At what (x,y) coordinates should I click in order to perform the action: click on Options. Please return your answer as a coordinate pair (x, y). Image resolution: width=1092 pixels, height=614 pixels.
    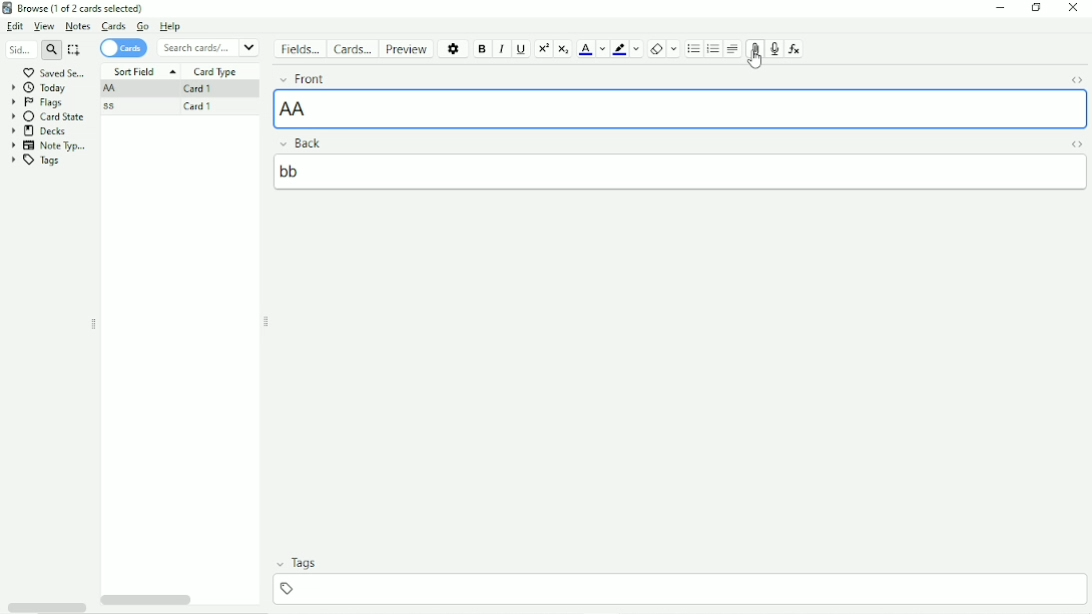
    Looking at the image, I should click on (455, 50).